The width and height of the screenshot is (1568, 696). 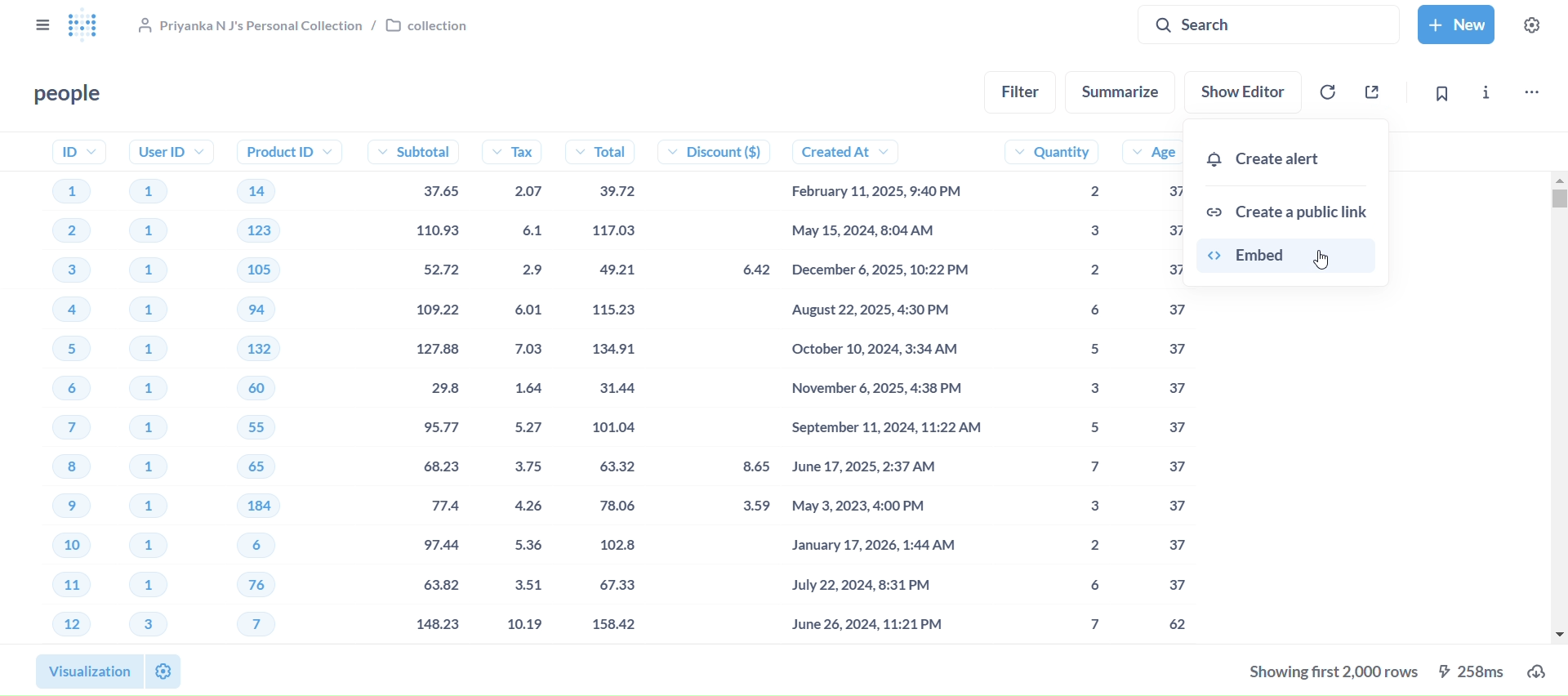 What do you see at coordinates (42, 26) in the screenshot?
I see `close sidebars` at bounding box center [42, 26].